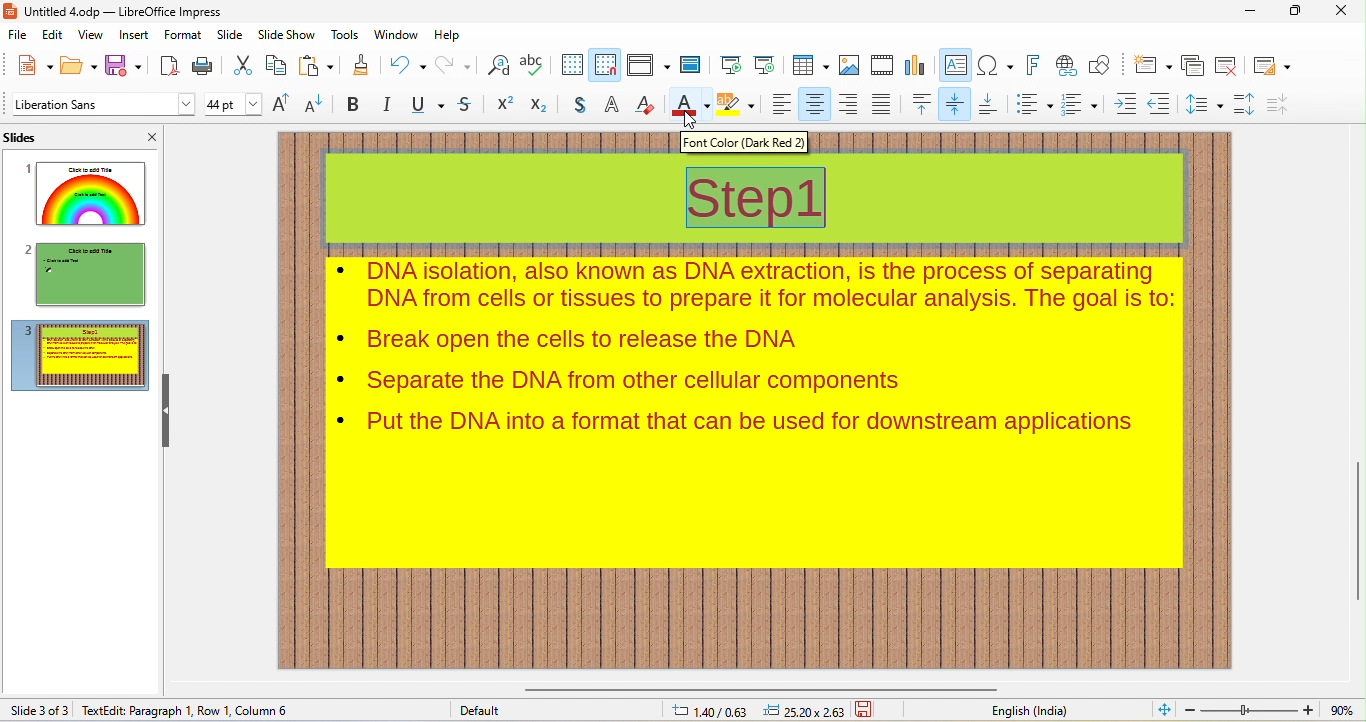 The height and width of the screenshot is (722, 1366). Describe the element at coordinates (456, 65) in the screenshot. I see `redo` at that location.